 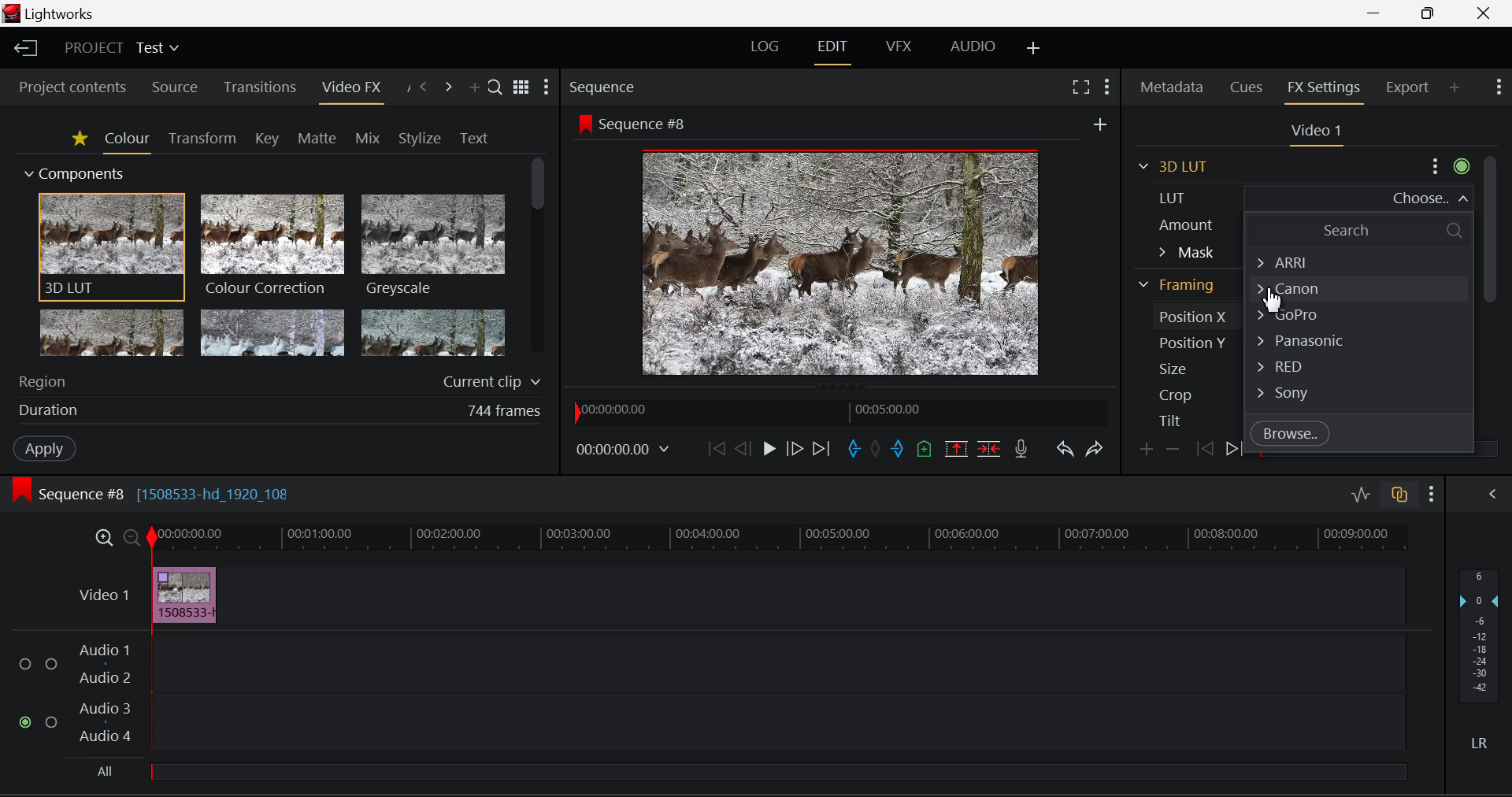 I want to click on Show Settings, so click(x=1497, y=87).